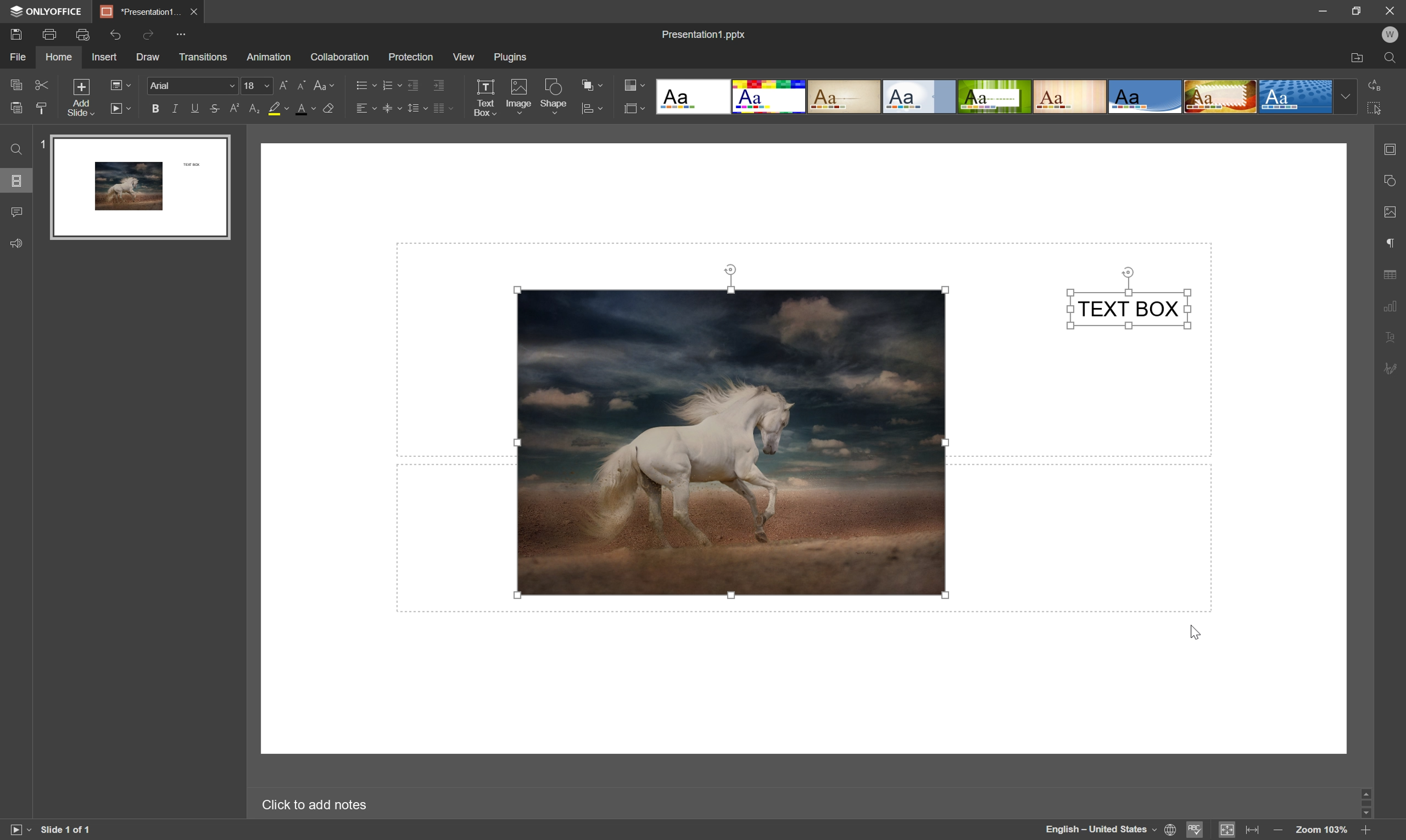  Describe the element at coordinates (1146, 97) in the screenshot. I see `Office` at that location.